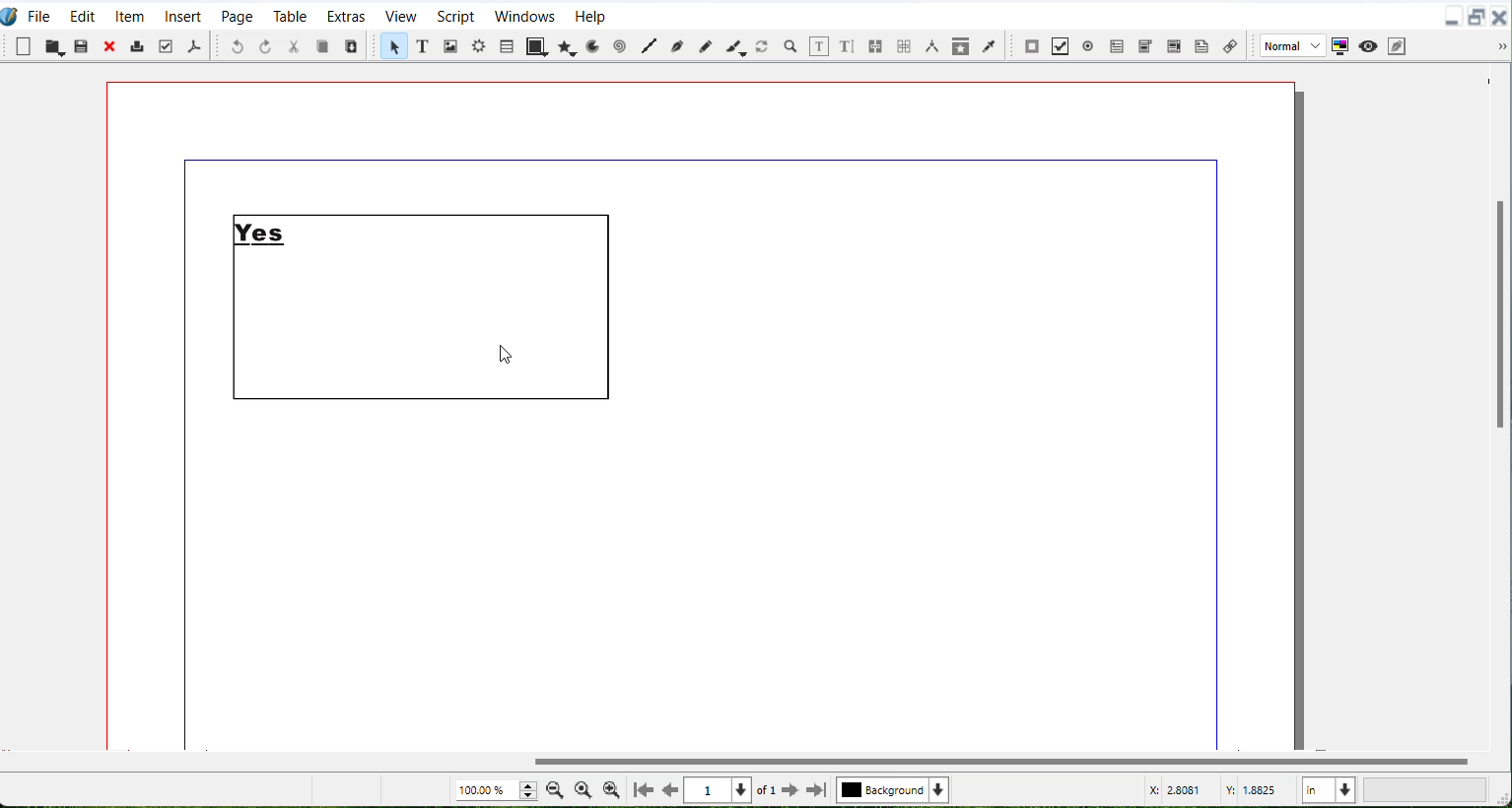 The width and height of the screenshot is (1512, 808). Describe the element at coordinates (503, 357) in the screenshot. I see `Cursor` at that location.